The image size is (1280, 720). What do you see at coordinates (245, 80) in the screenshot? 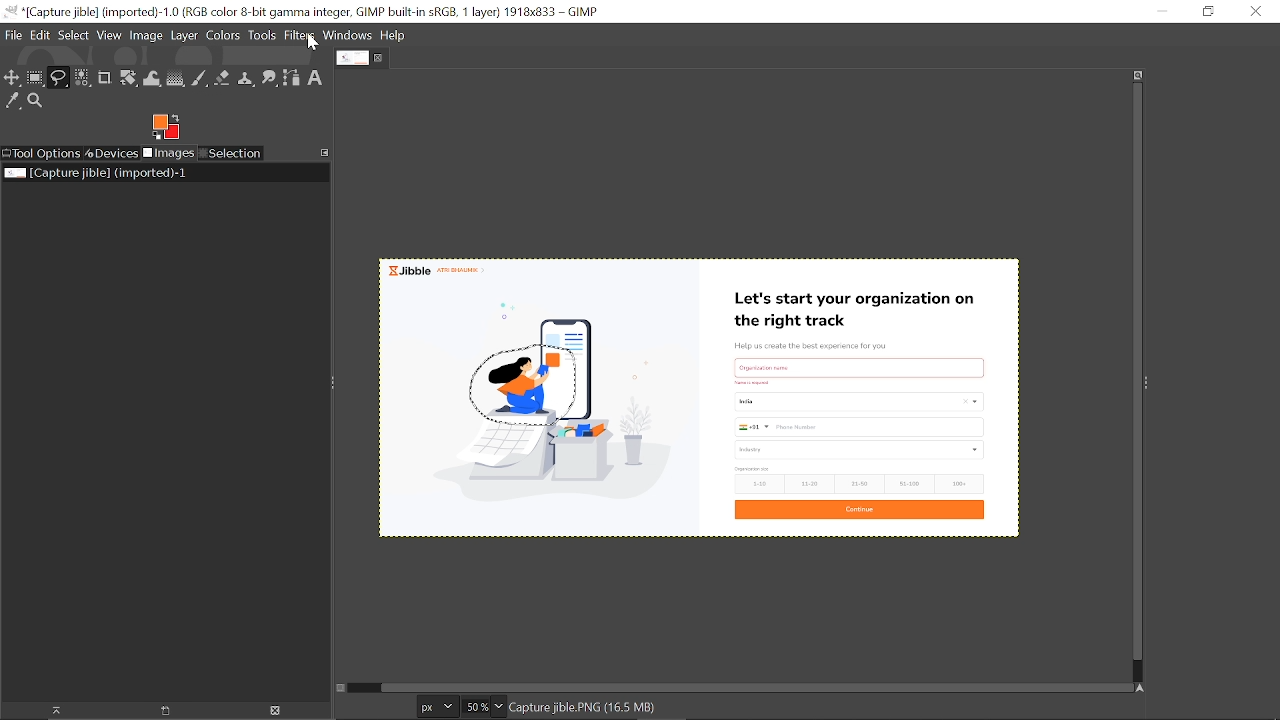
I see `Clone tool` at bounding box center [245, 80].